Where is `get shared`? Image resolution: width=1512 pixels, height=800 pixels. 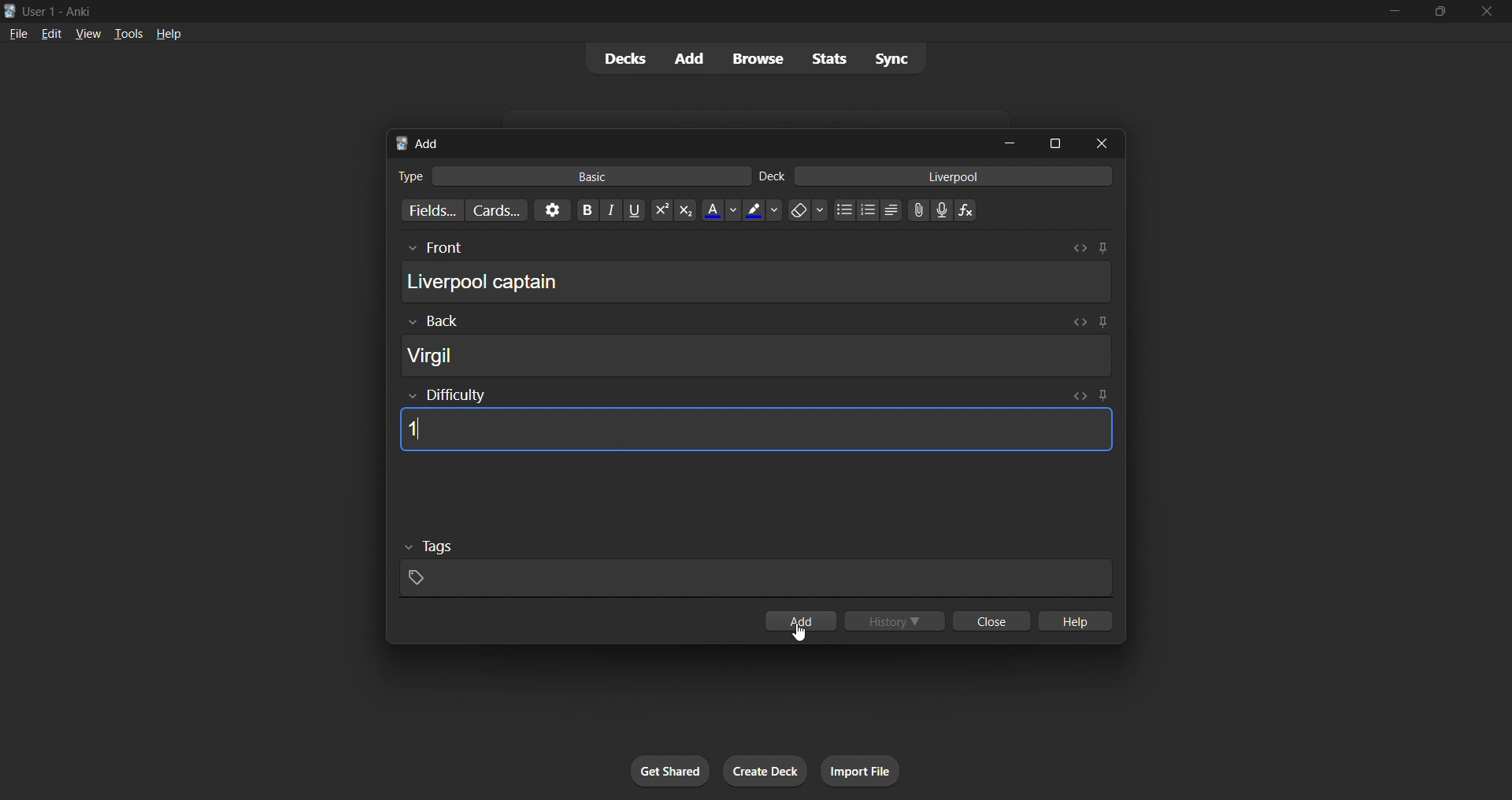 get shared is located at coordinates (670, 771).